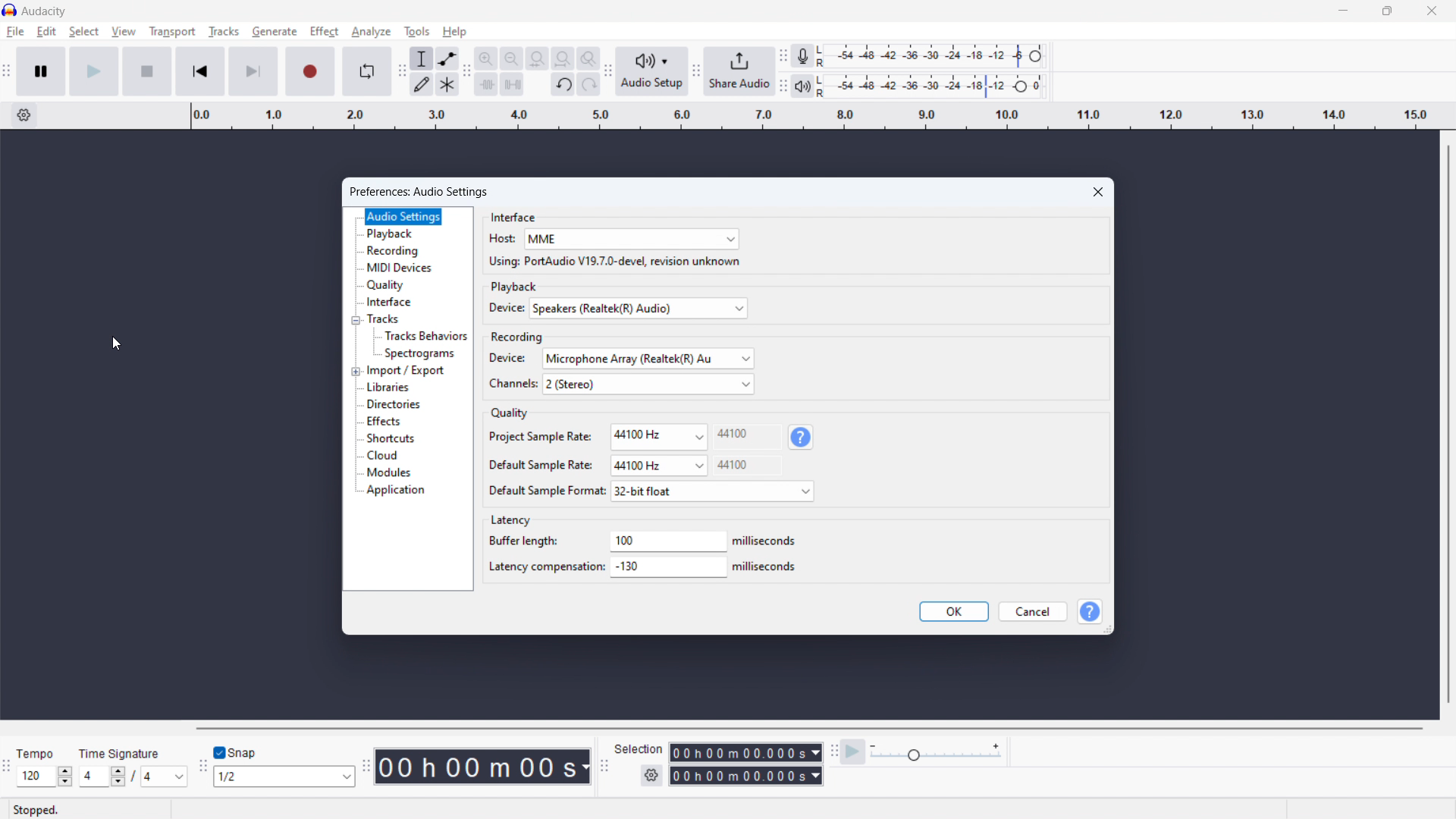  Describe the element at coordinates (223, 31) in the screenshot. I see `tracks` at that location.